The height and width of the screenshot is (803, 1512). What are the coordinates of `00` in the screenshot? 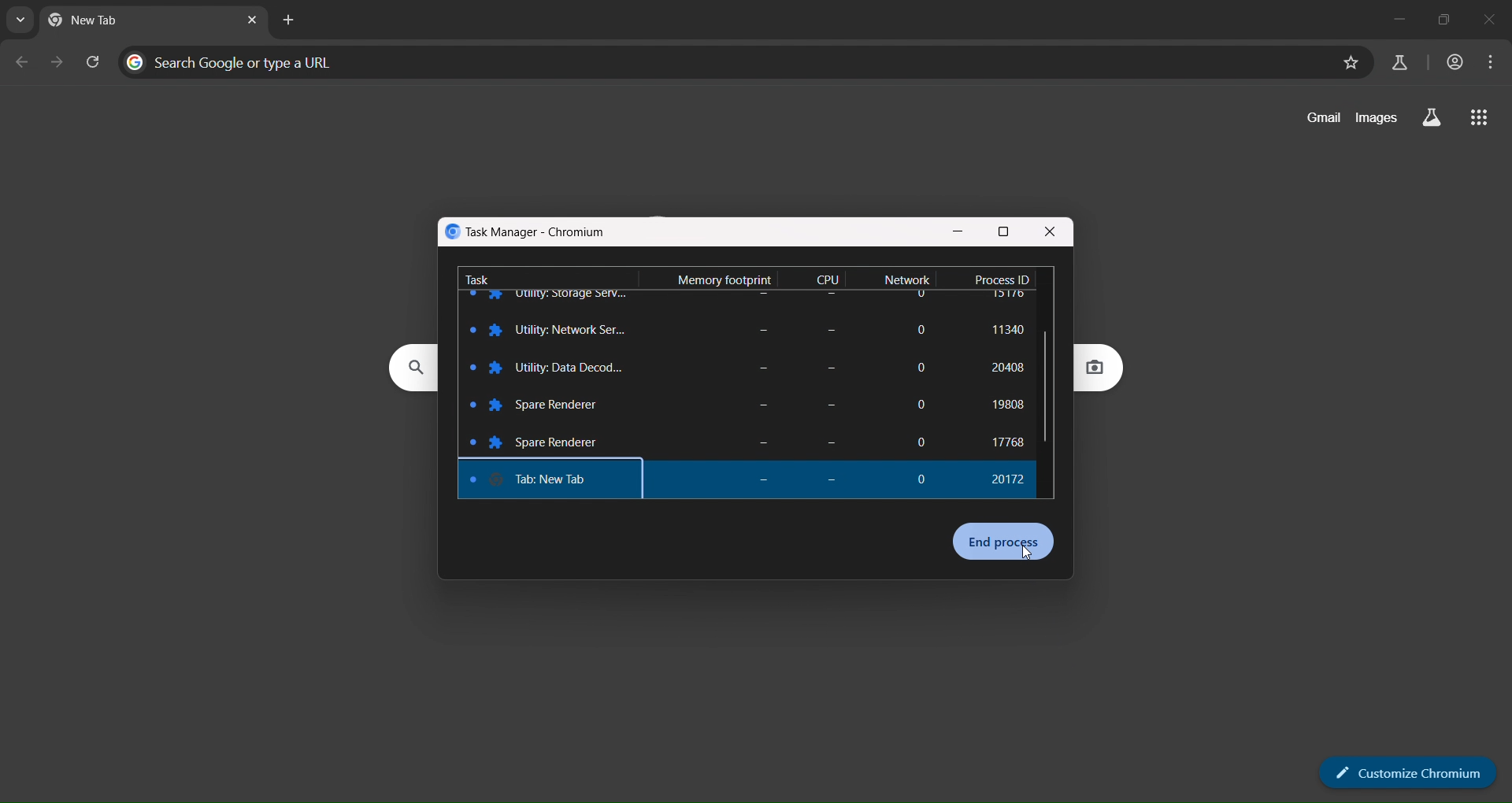 It's located at (834, 483).